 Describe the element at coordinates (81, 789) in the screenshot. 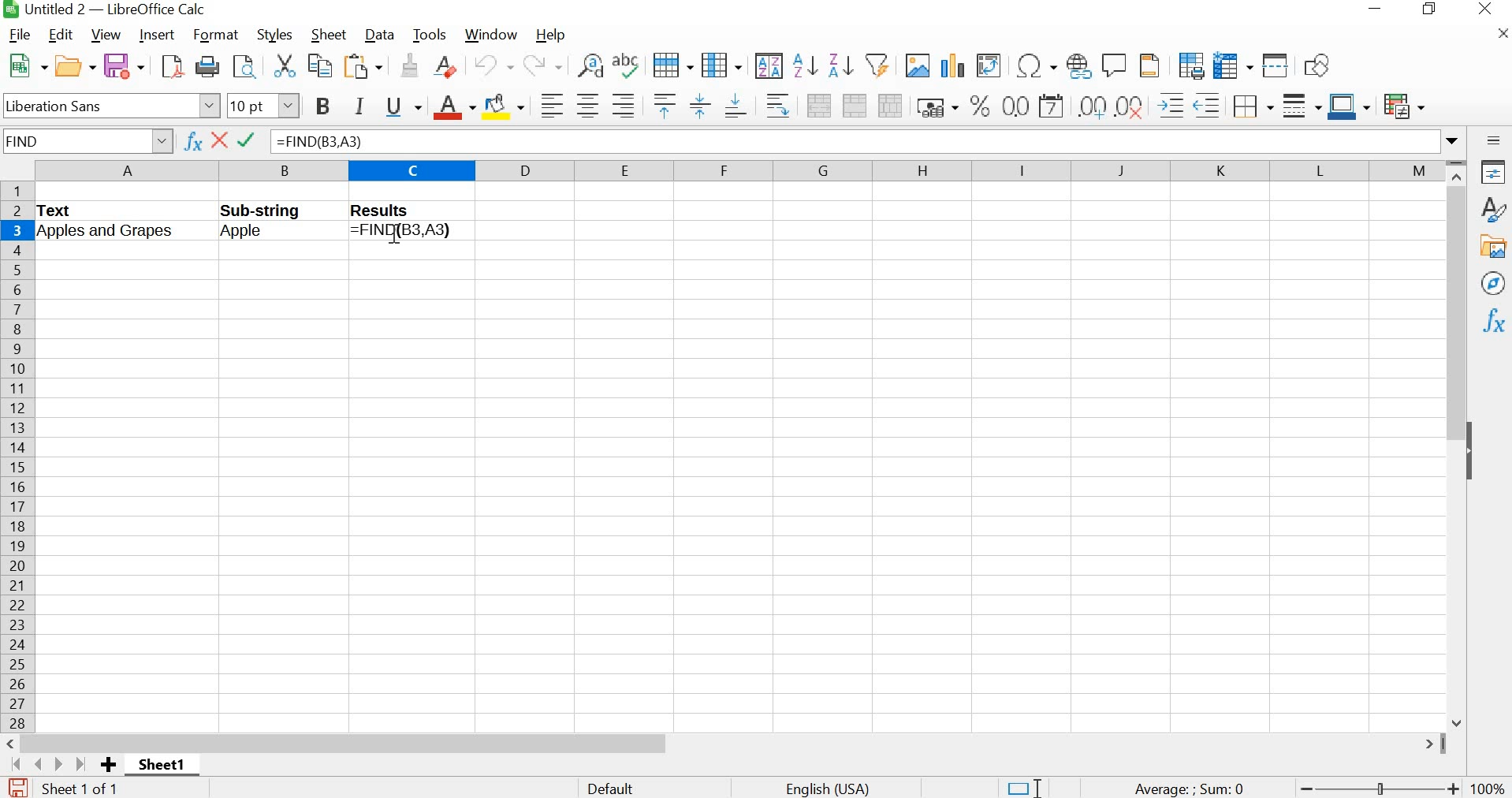

I see `sheet 1 of 1` at that location.